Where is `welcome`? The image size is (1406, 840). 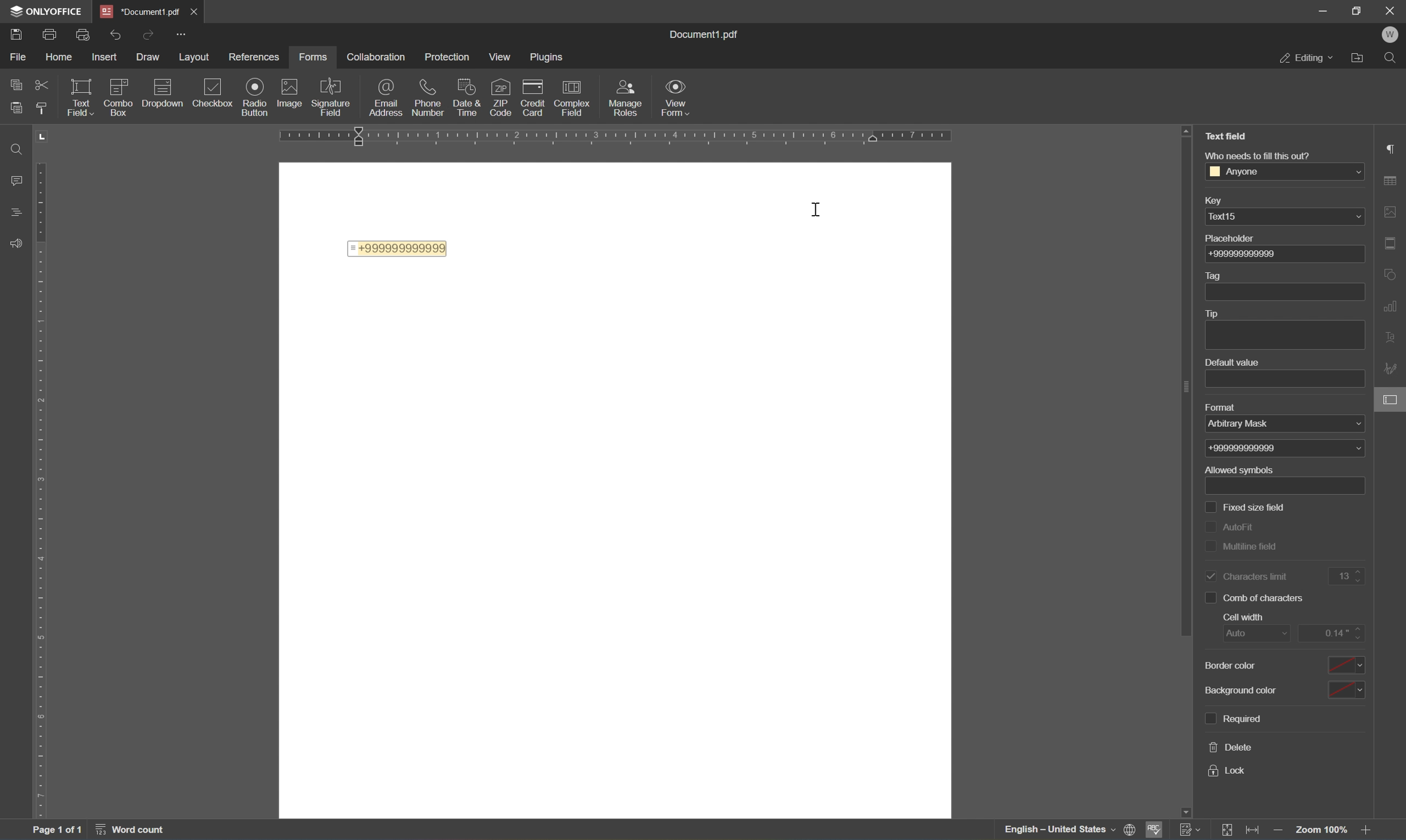 welcome is located at coordinates (1391, 33).